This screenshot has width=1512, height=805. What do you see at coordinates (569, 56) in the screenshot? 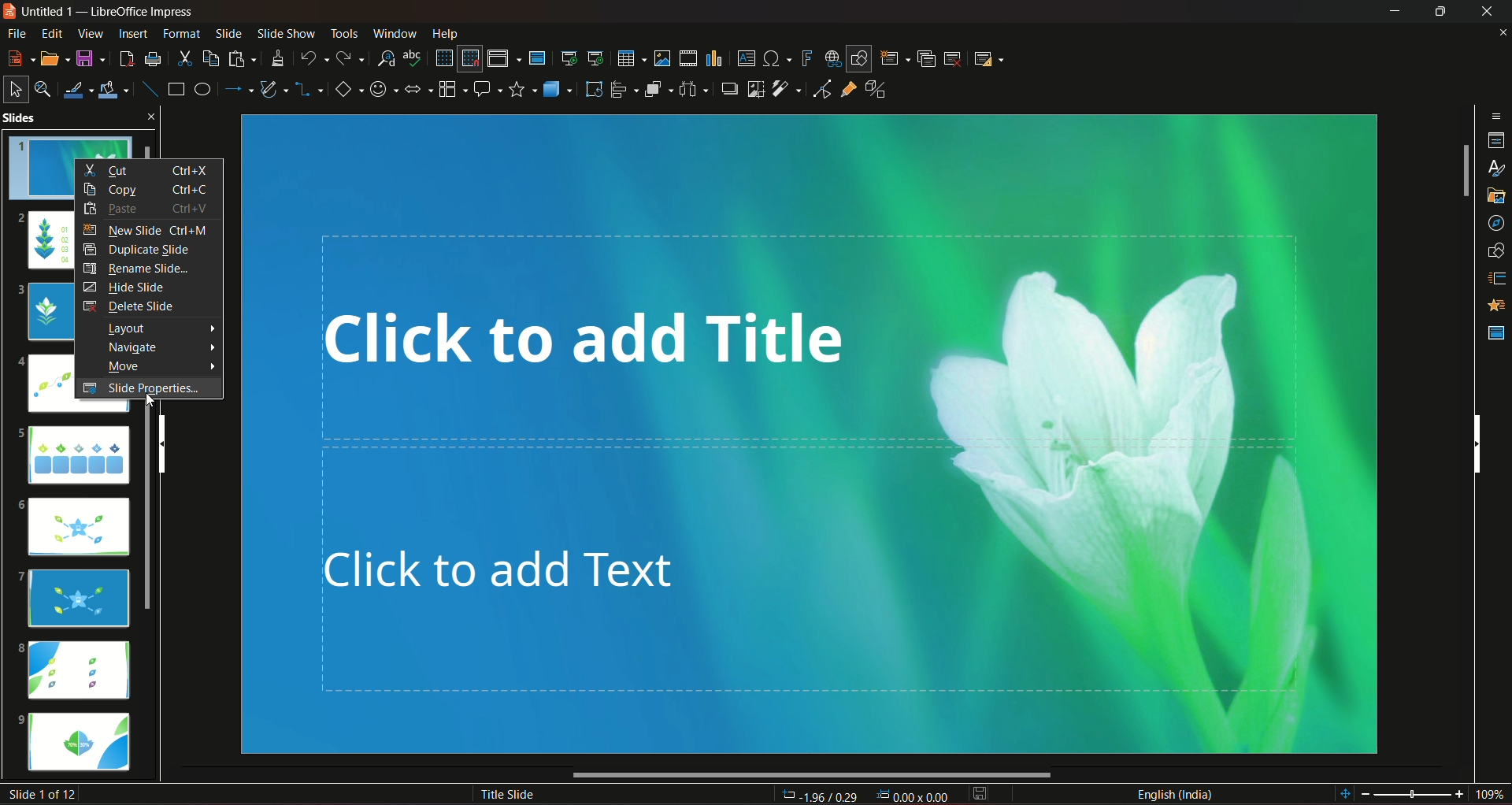
I see `start from the first slide` at bounding box center [569, 56].